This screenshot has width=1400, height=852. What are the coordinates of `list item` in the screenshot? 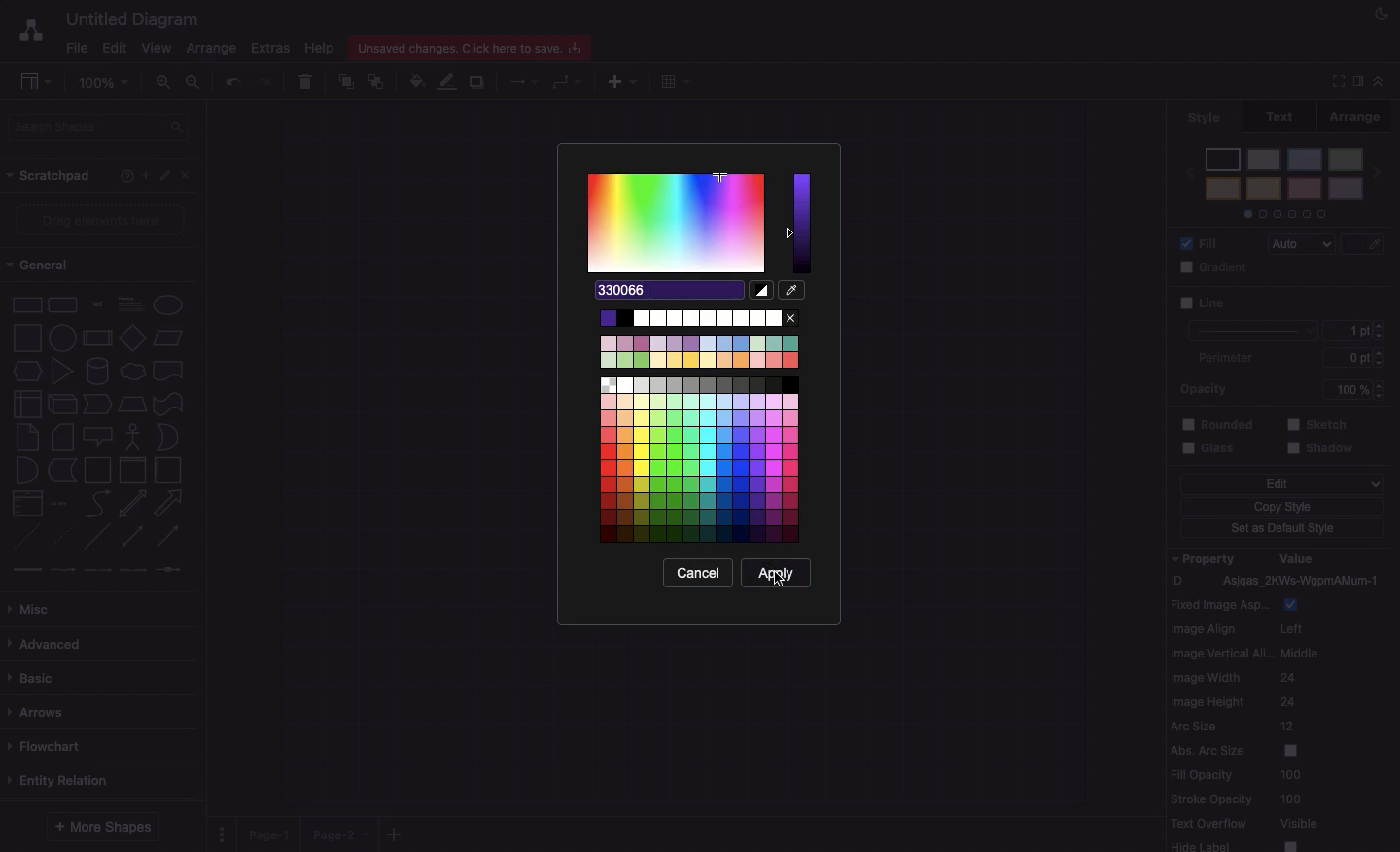 It's located at (60, 502).